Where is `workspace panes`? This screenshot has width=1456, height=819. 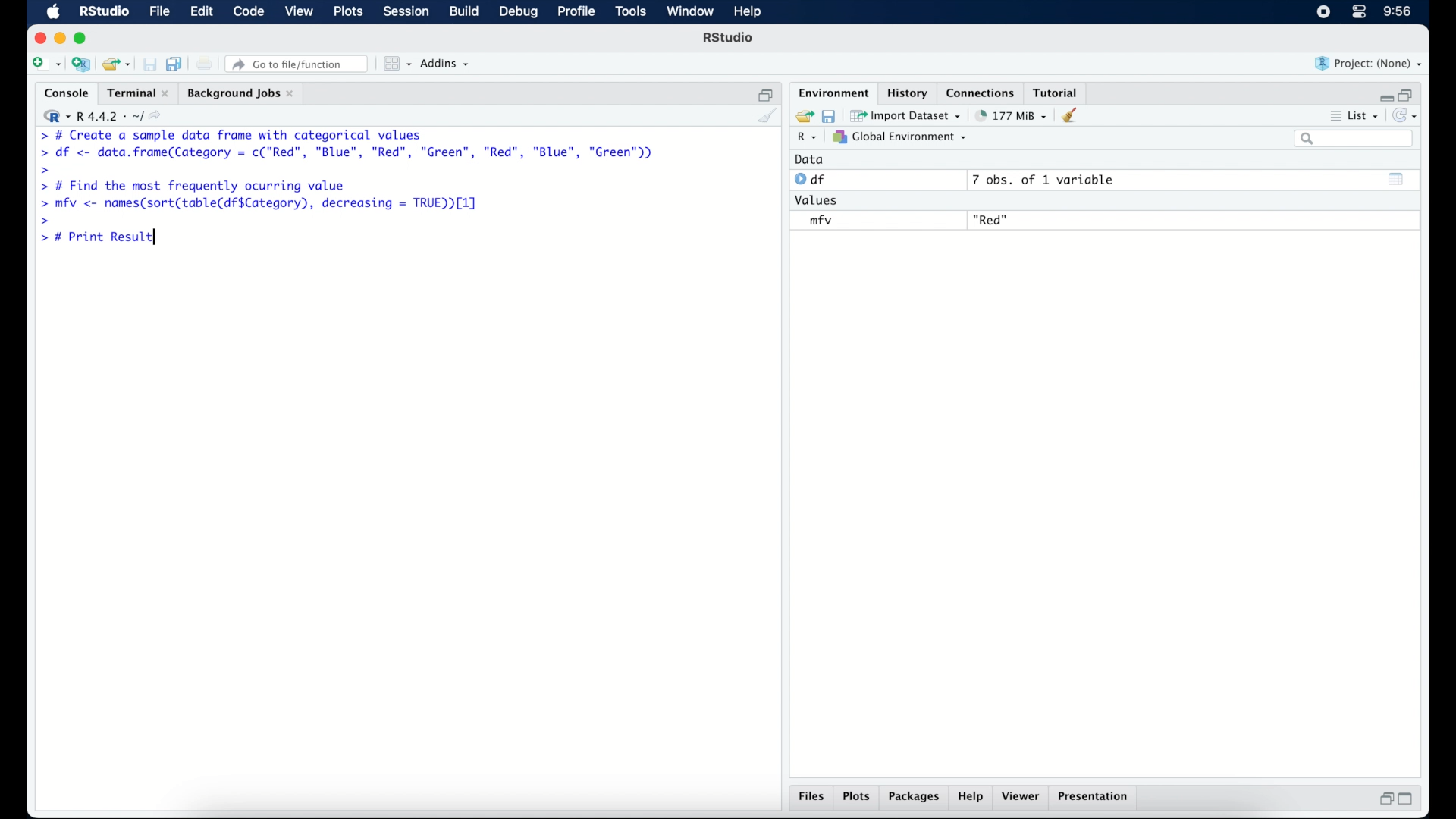 workspace panes is located at coordinates (397, 64).